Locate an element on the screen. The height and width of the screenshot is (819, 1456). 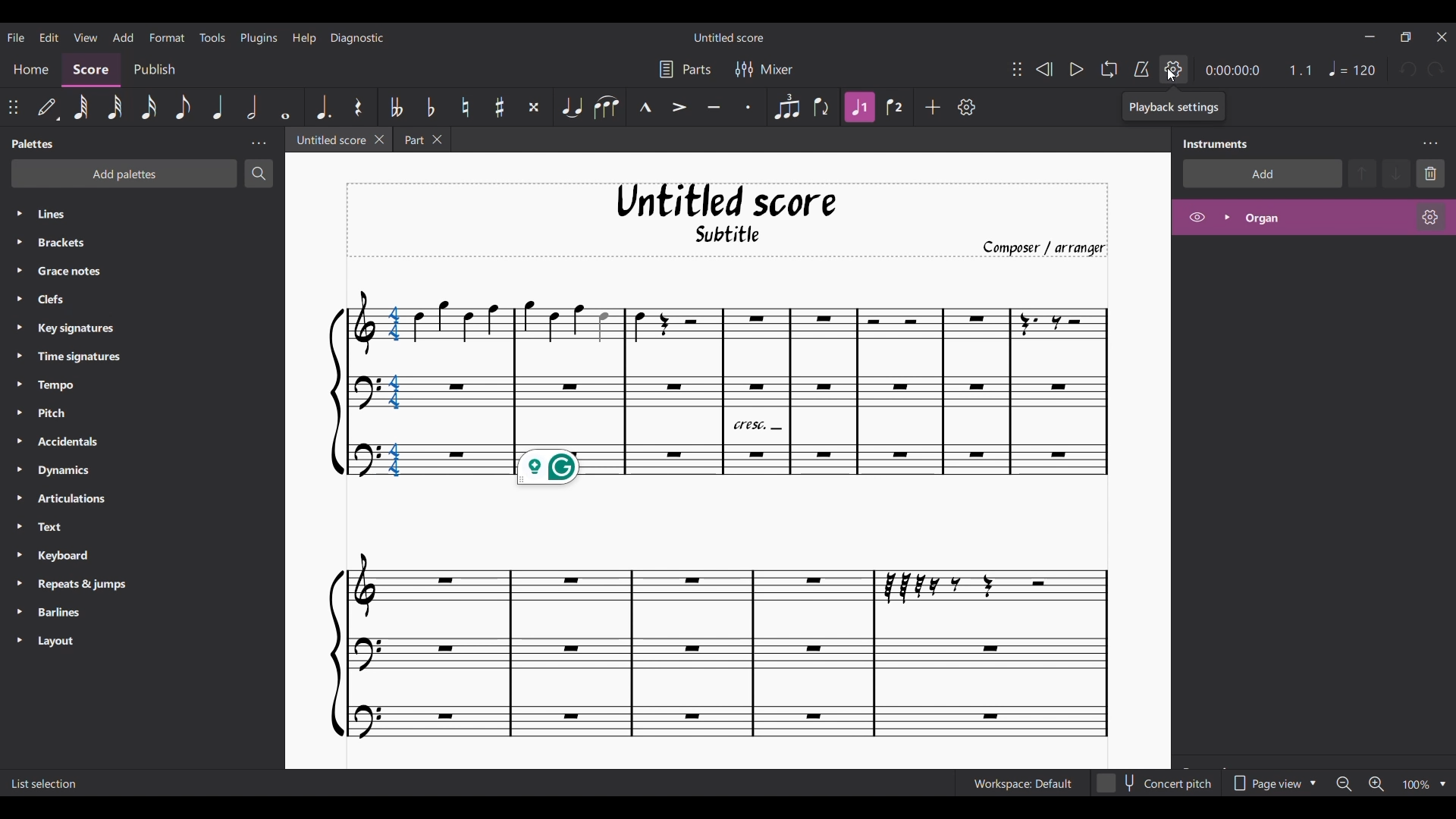
Grammarly extension is located at coordinates (548, 467).